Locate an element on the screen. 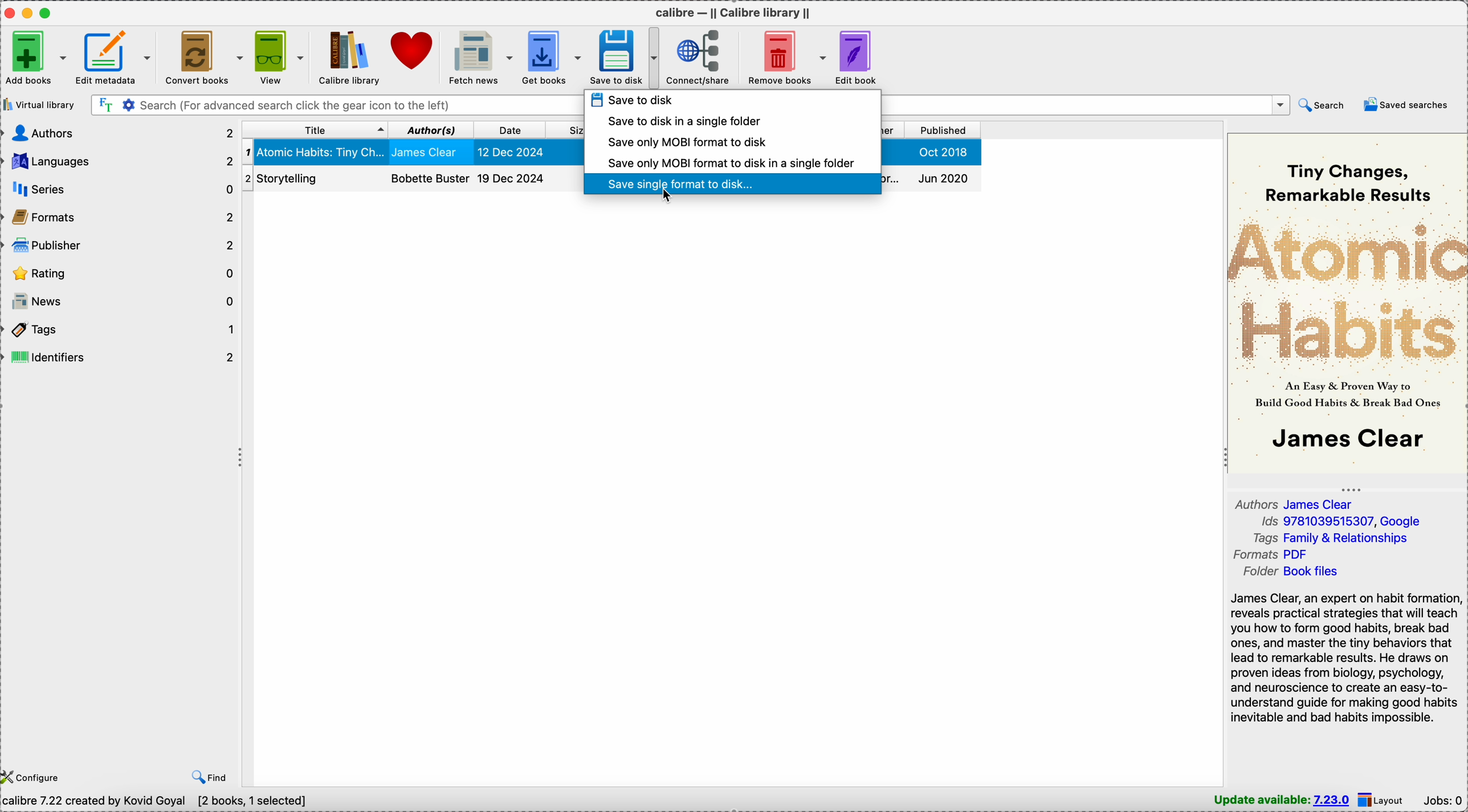 The height and width of the screenshot is (812, 1468). Oct 2018 is located at coordinates (932, 153).